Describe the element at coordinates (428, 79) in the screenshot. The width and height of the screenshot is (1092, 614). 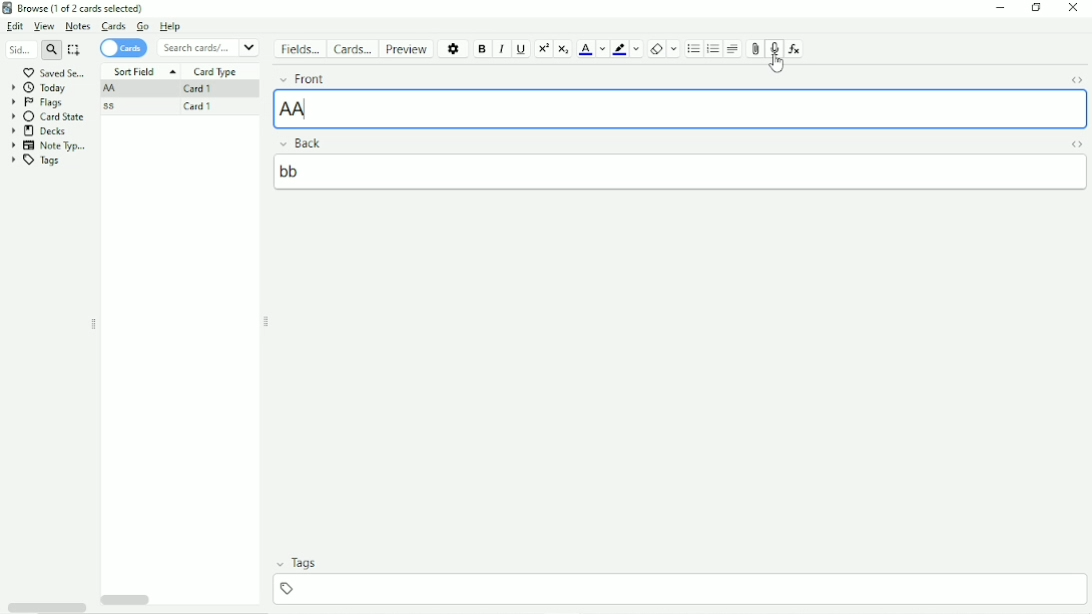
I see `Front` at that location.